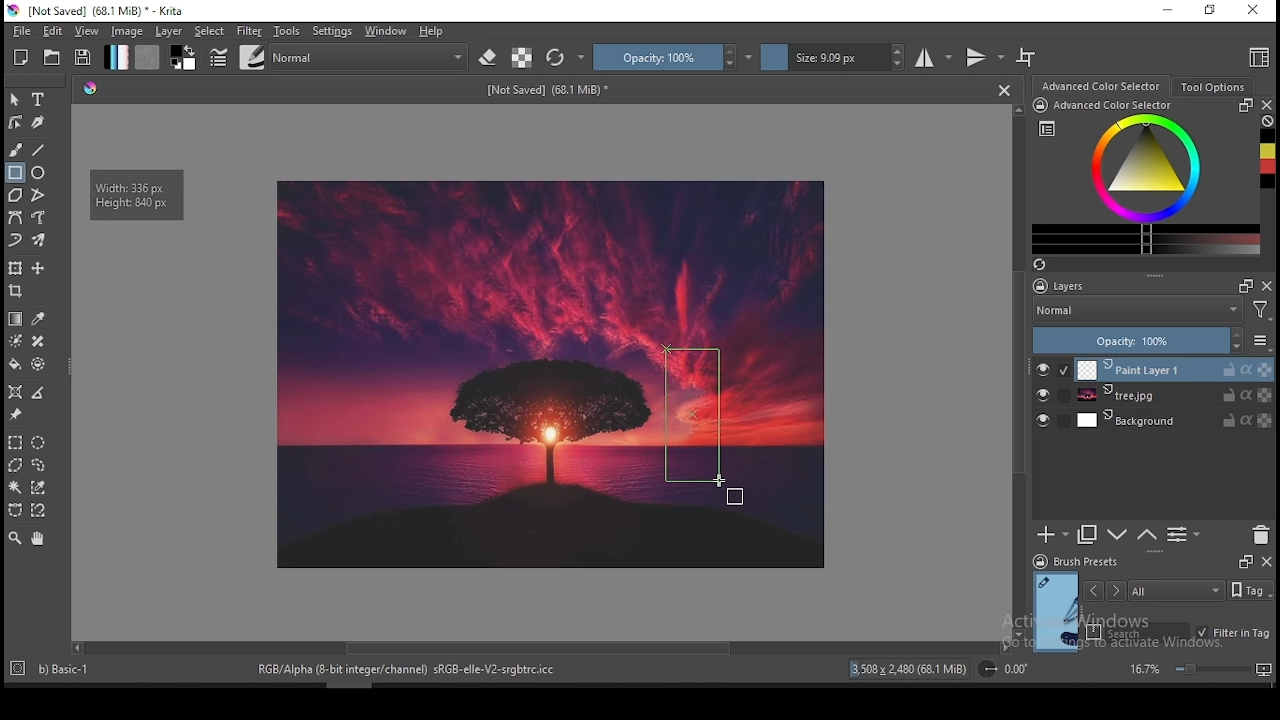  What do you see at coordinates (1209, 11) in the screenshot?
I see `restore` at bounding box center [1209, 11].